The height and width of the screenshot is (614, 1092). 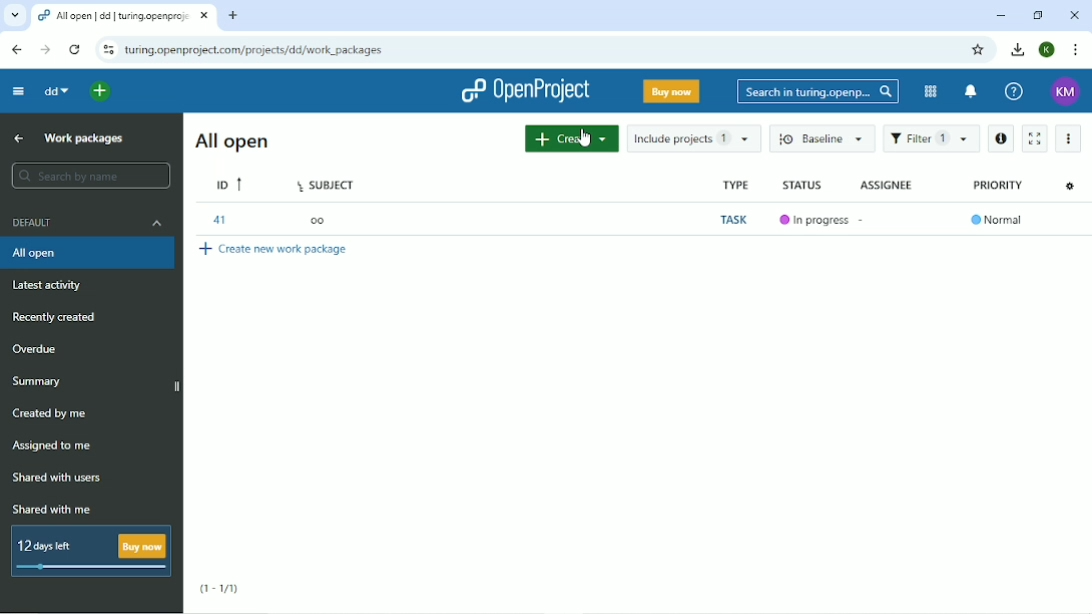 What do you see at coordinates (1048, 50) in the screenshot?
I see `K` at bounding box center [1048, 50].